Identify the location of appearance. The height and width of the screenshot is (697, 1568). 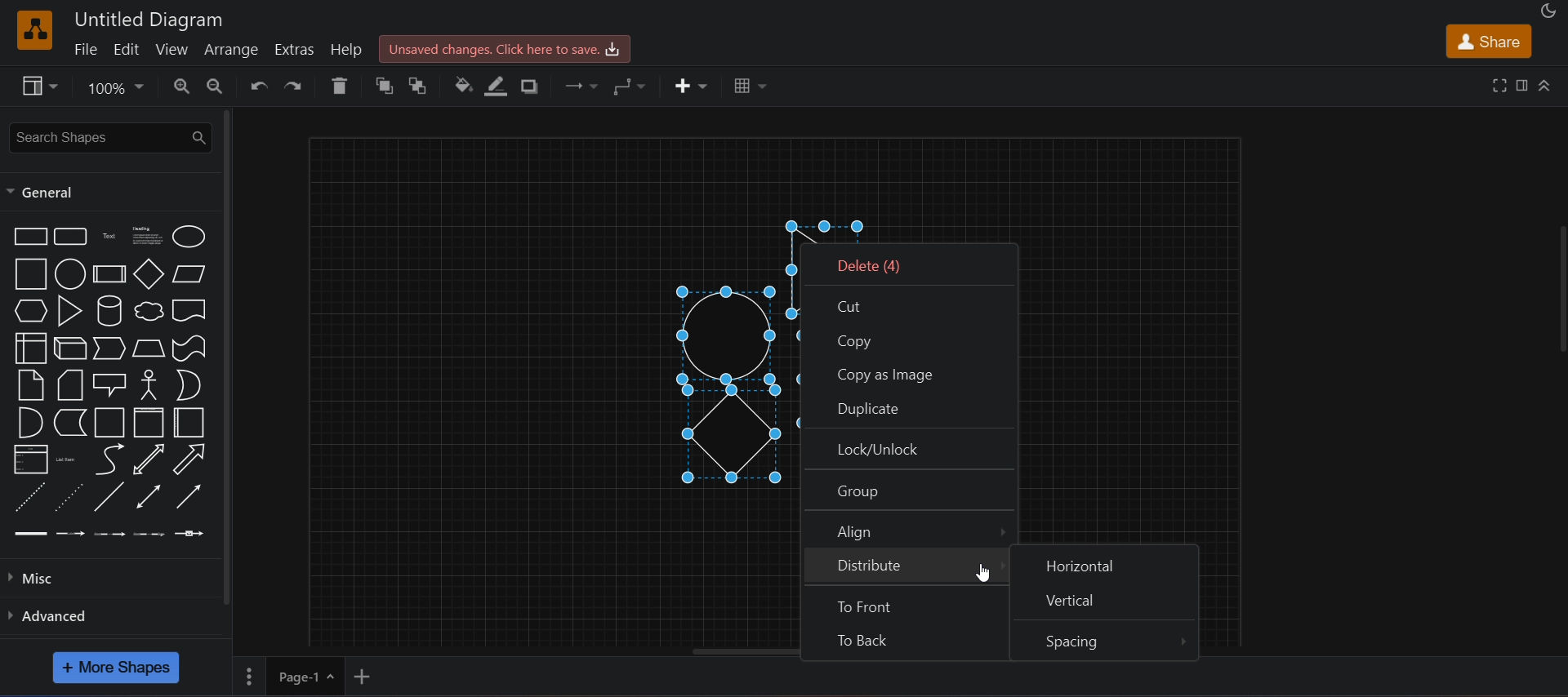
(1548, 11).